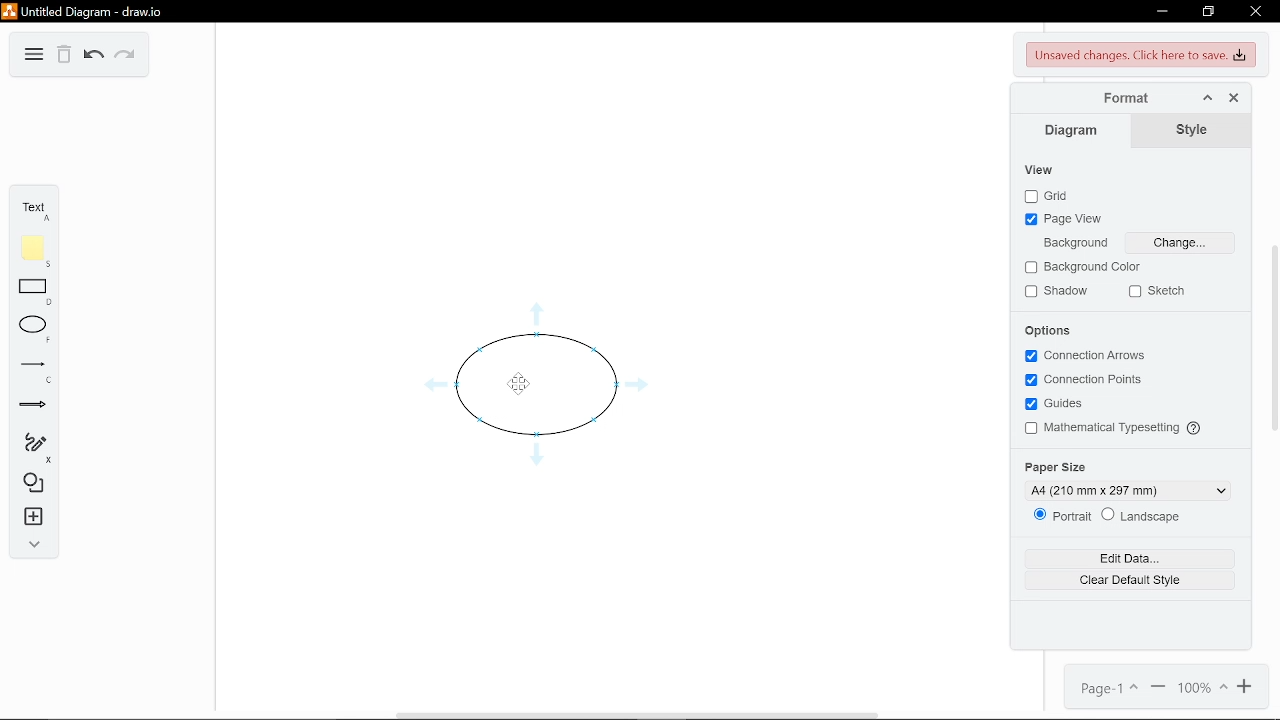 The width and height of the screenshot is (1280, 720). What do you see at coordinates (1099, 430) in the screenshot?
I see `Mathematical Typesetting` at bounding box center [1099, 430].